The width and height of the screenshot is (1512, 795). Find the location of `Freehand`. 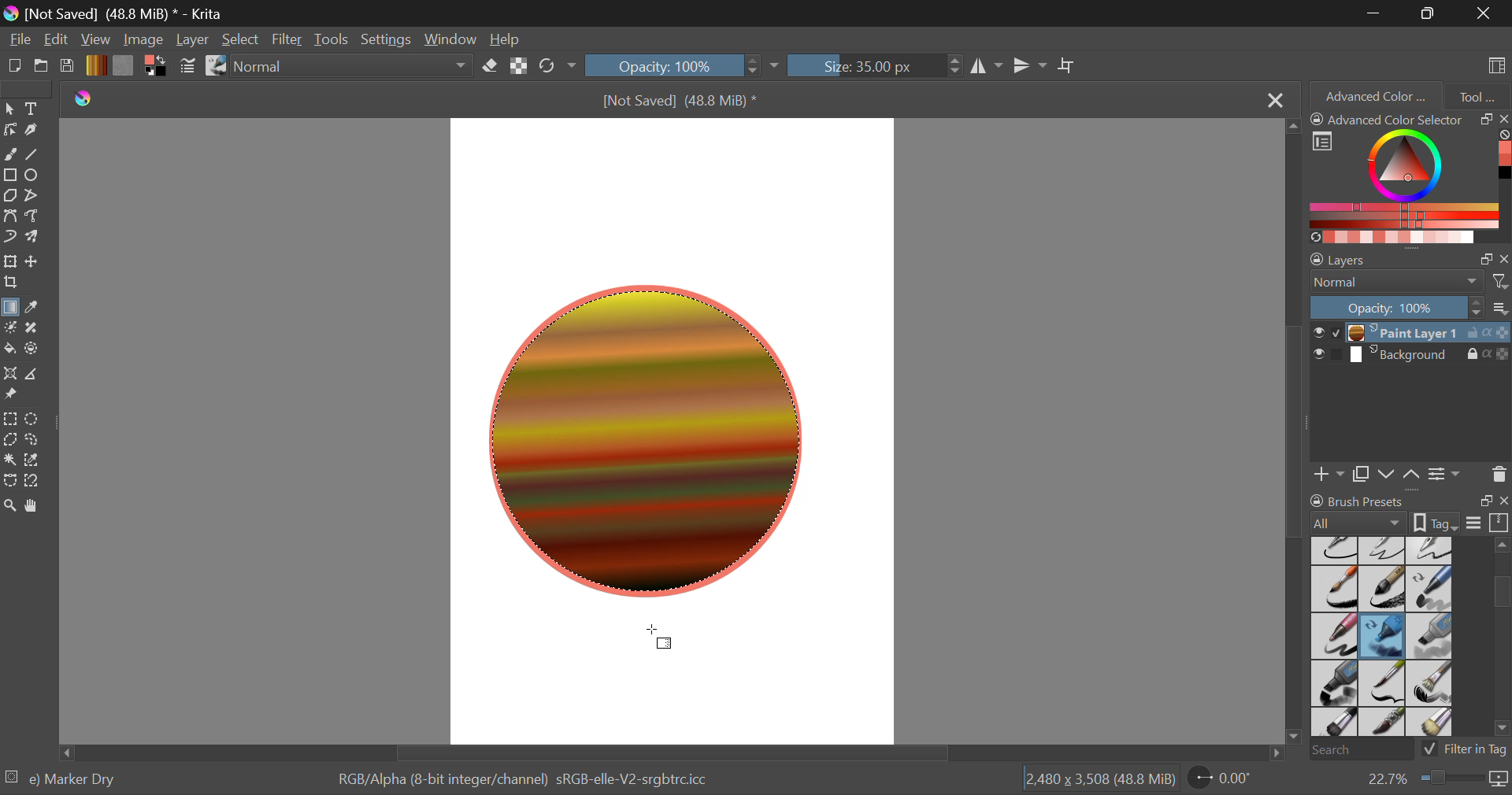

Freehand is located at coordinates (11, 154).